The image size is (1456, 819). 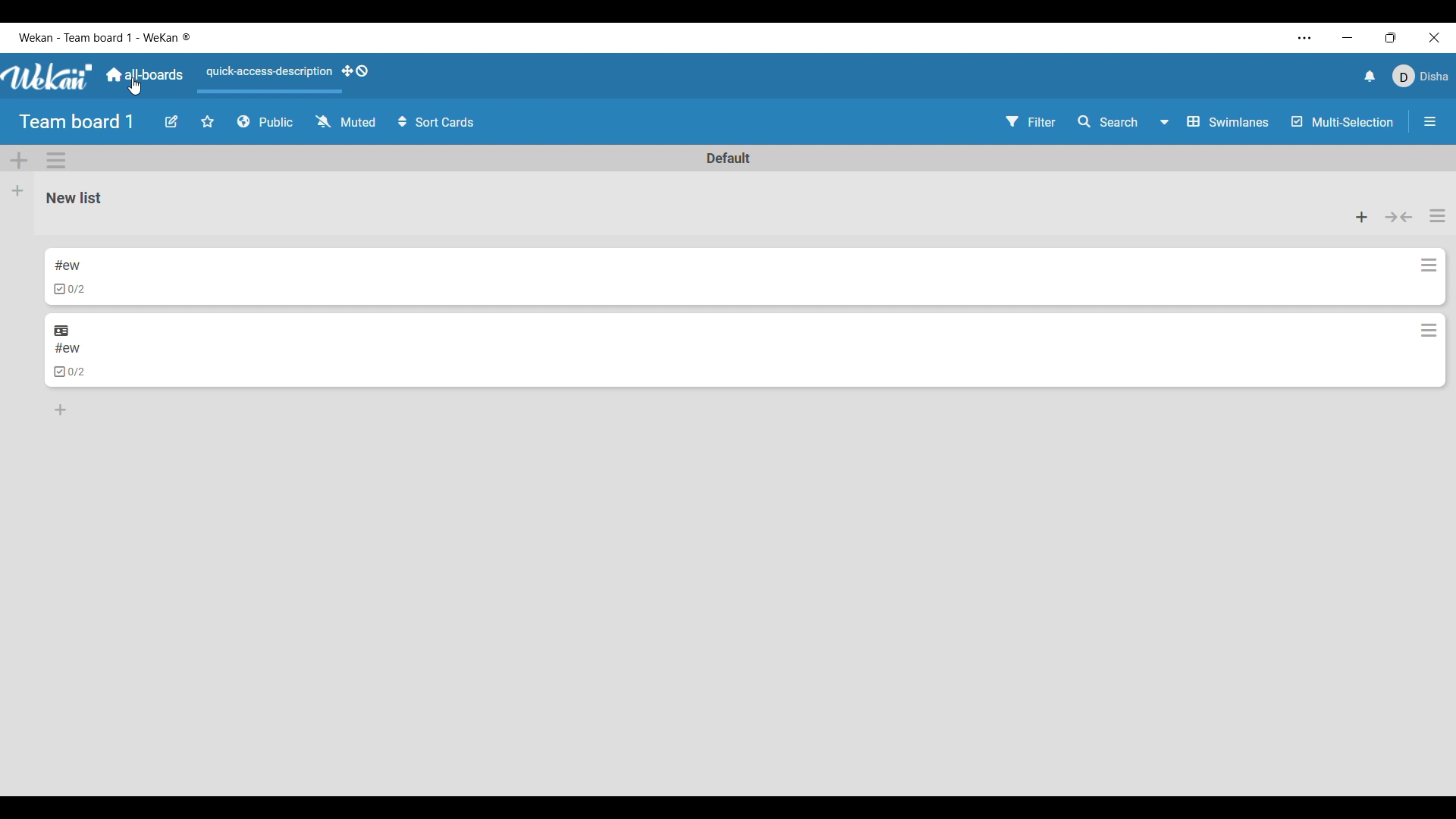 What do you see at coordinates (49, 77) in the screenshot?
I see `Software logo` at bounding box center [49, 77].